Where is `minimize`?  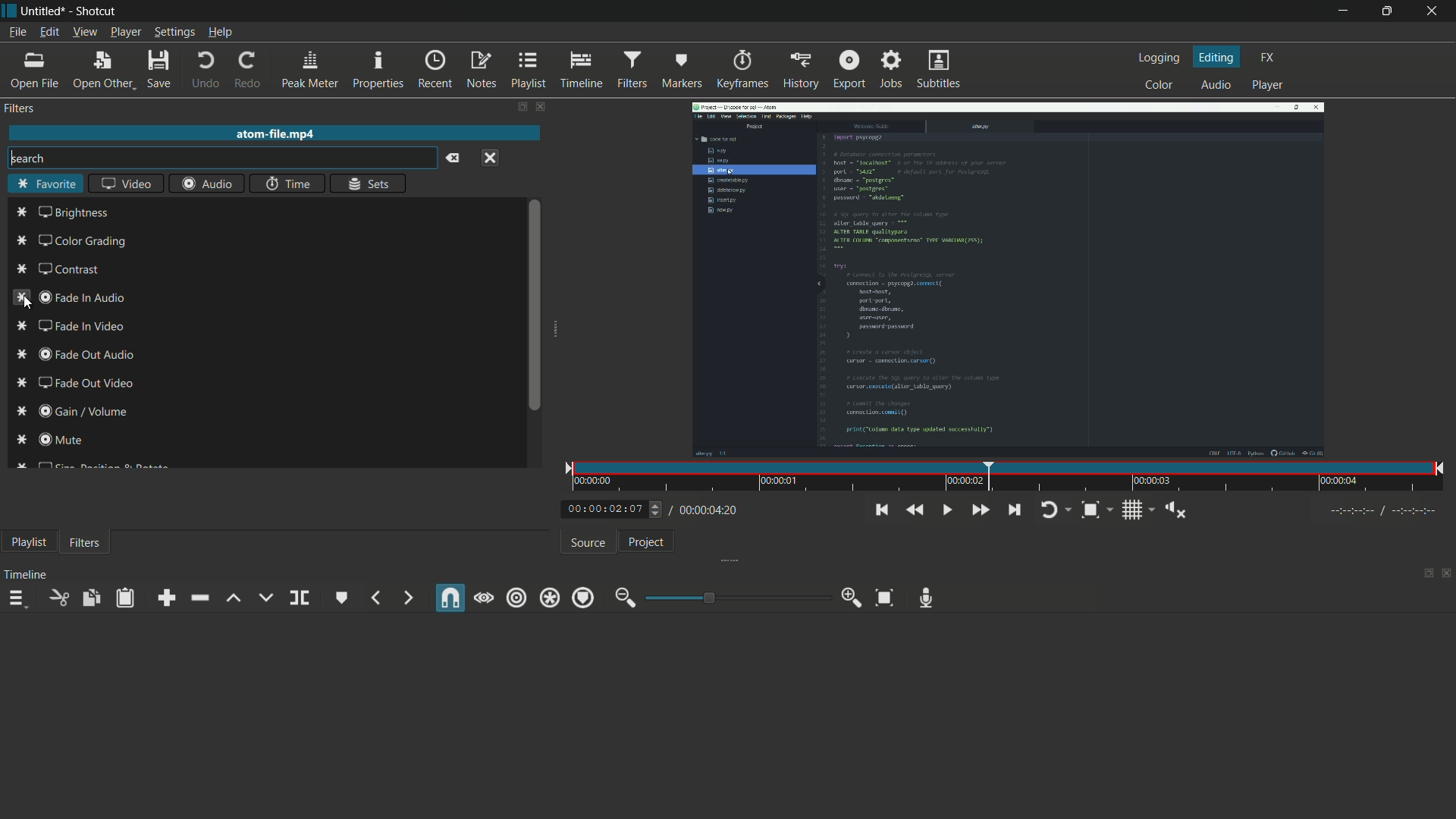
minimize is located at coordinates (1343, 11).